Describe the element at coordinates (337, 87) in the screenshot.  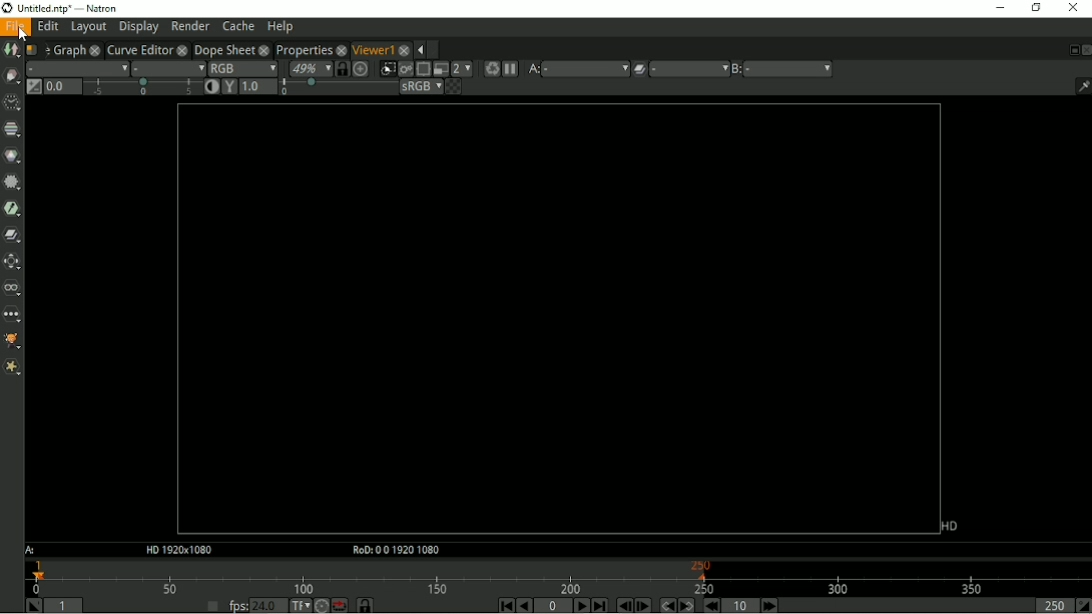
I see `selection bar` at that location.